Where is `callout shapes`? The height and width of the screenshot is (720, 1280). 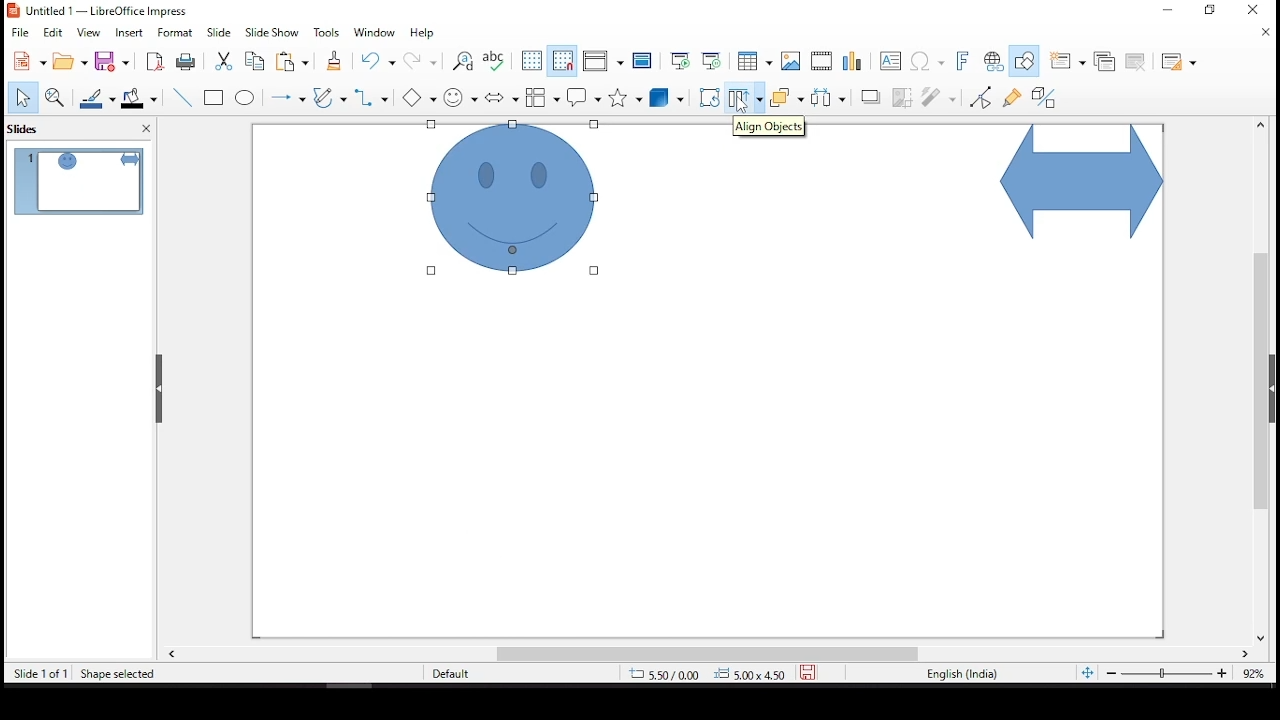
callout shapes is located at coordinates (585, 98).